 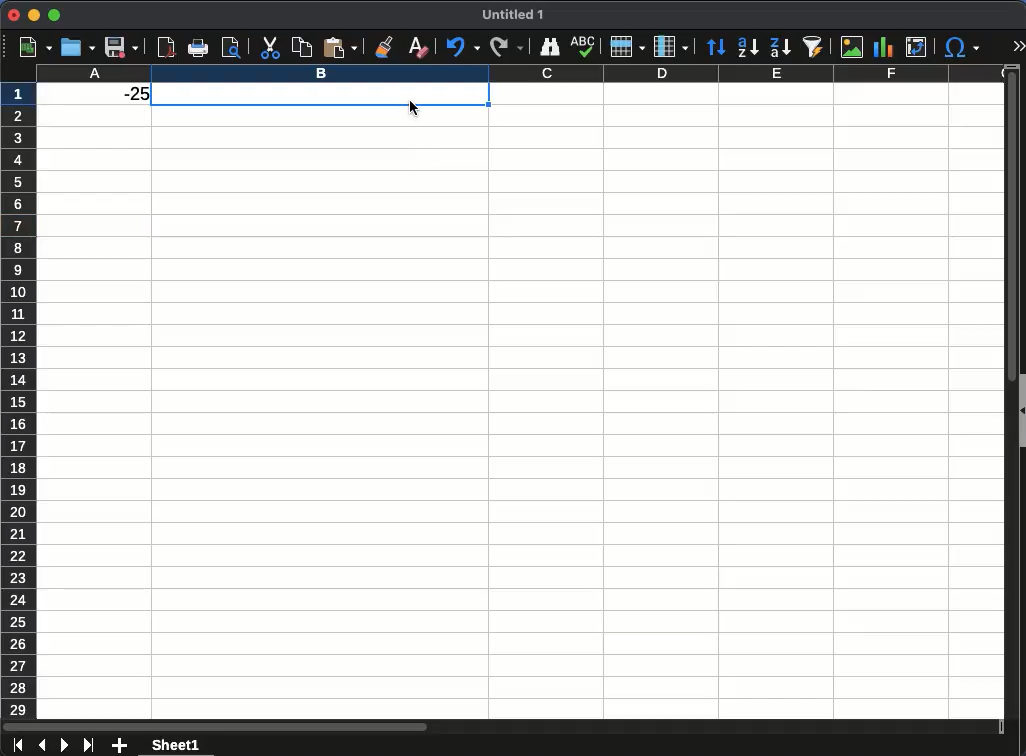 I want to click on paste, so click(x=339, y=46).